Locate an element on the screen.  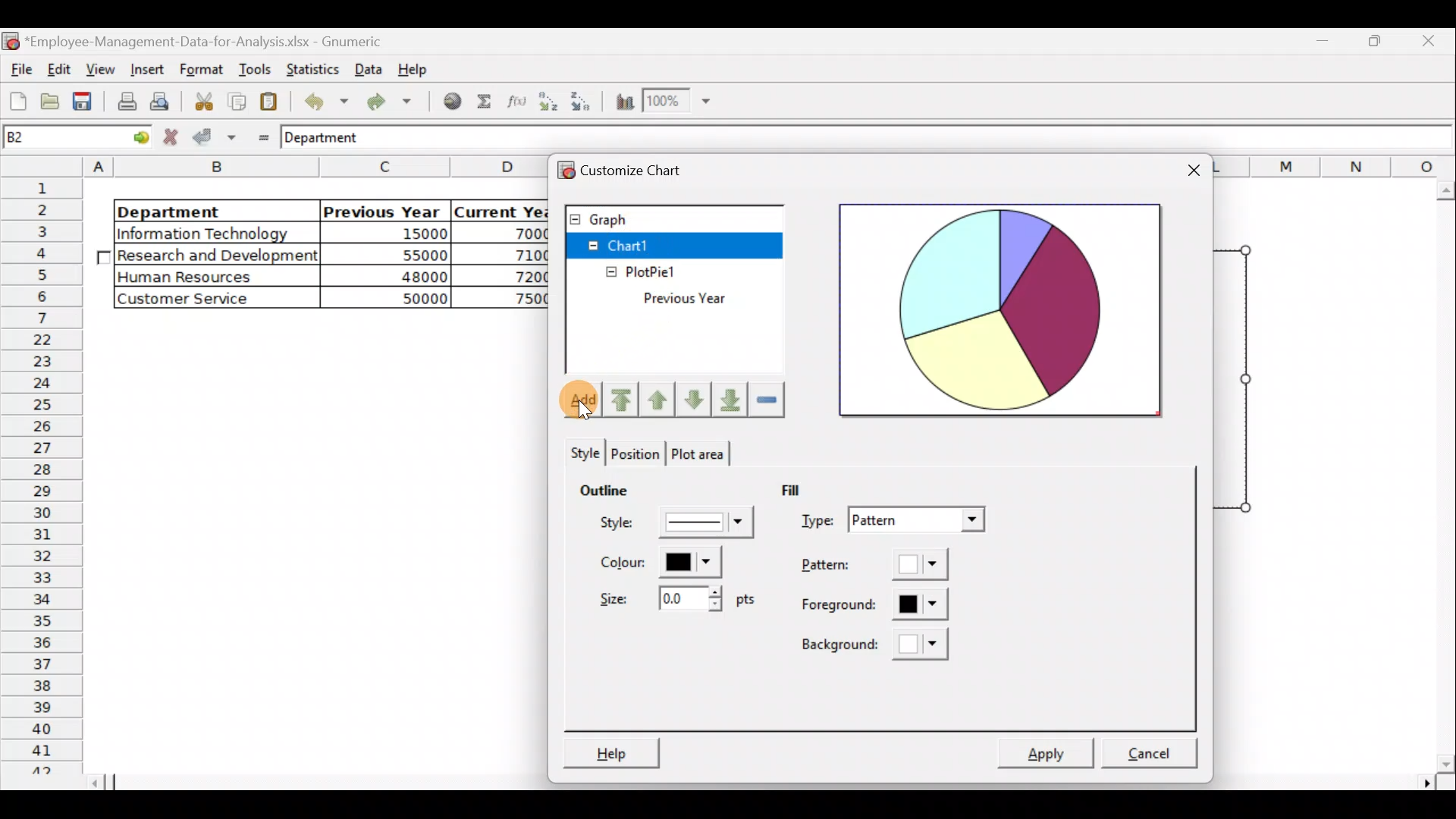
Cut the selection is located at coordinates (203, 99).